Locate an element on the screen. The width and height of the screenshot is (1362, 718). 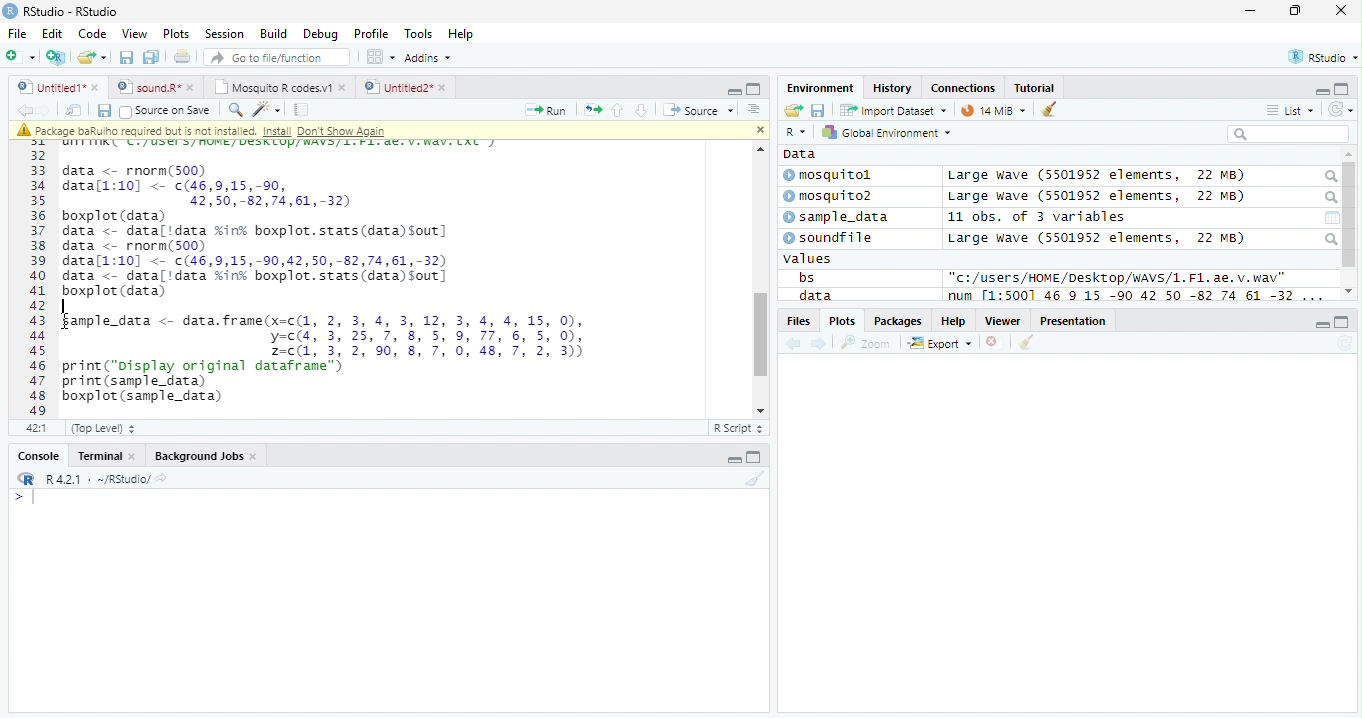
search bar is located at coordinates (1288, 133).